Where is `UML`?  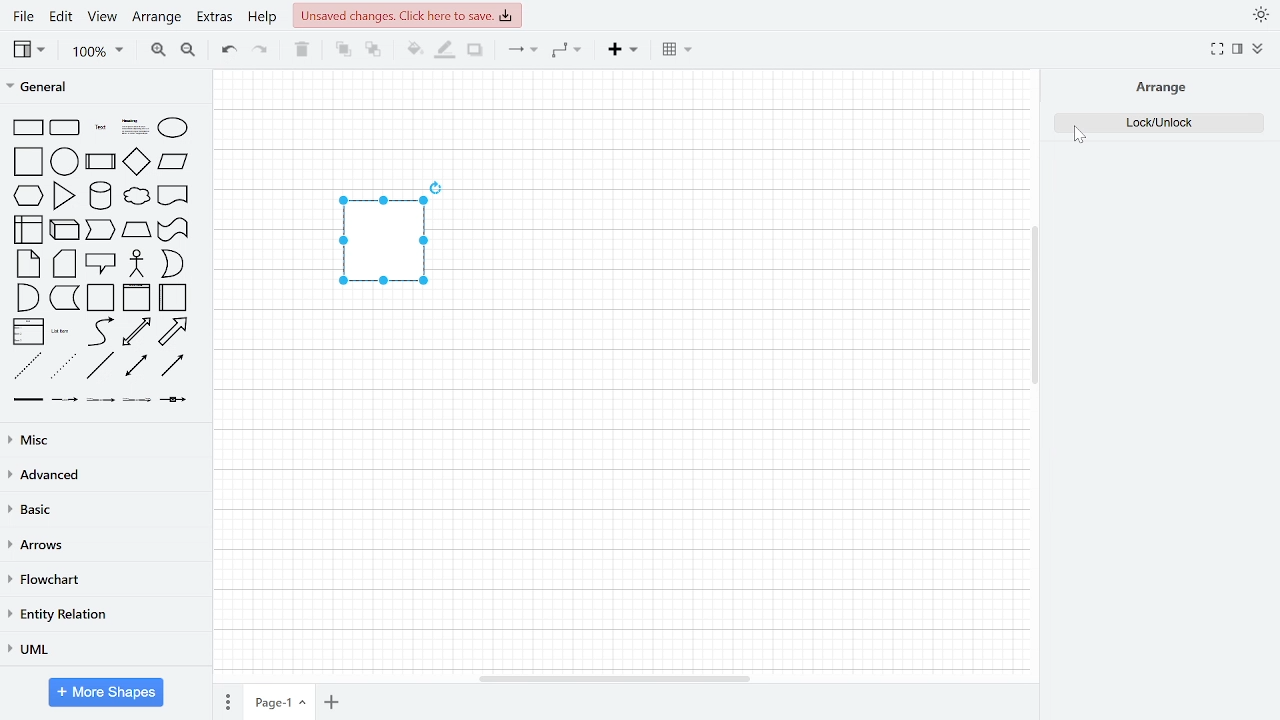
UML is located at coordinates (99, 652).